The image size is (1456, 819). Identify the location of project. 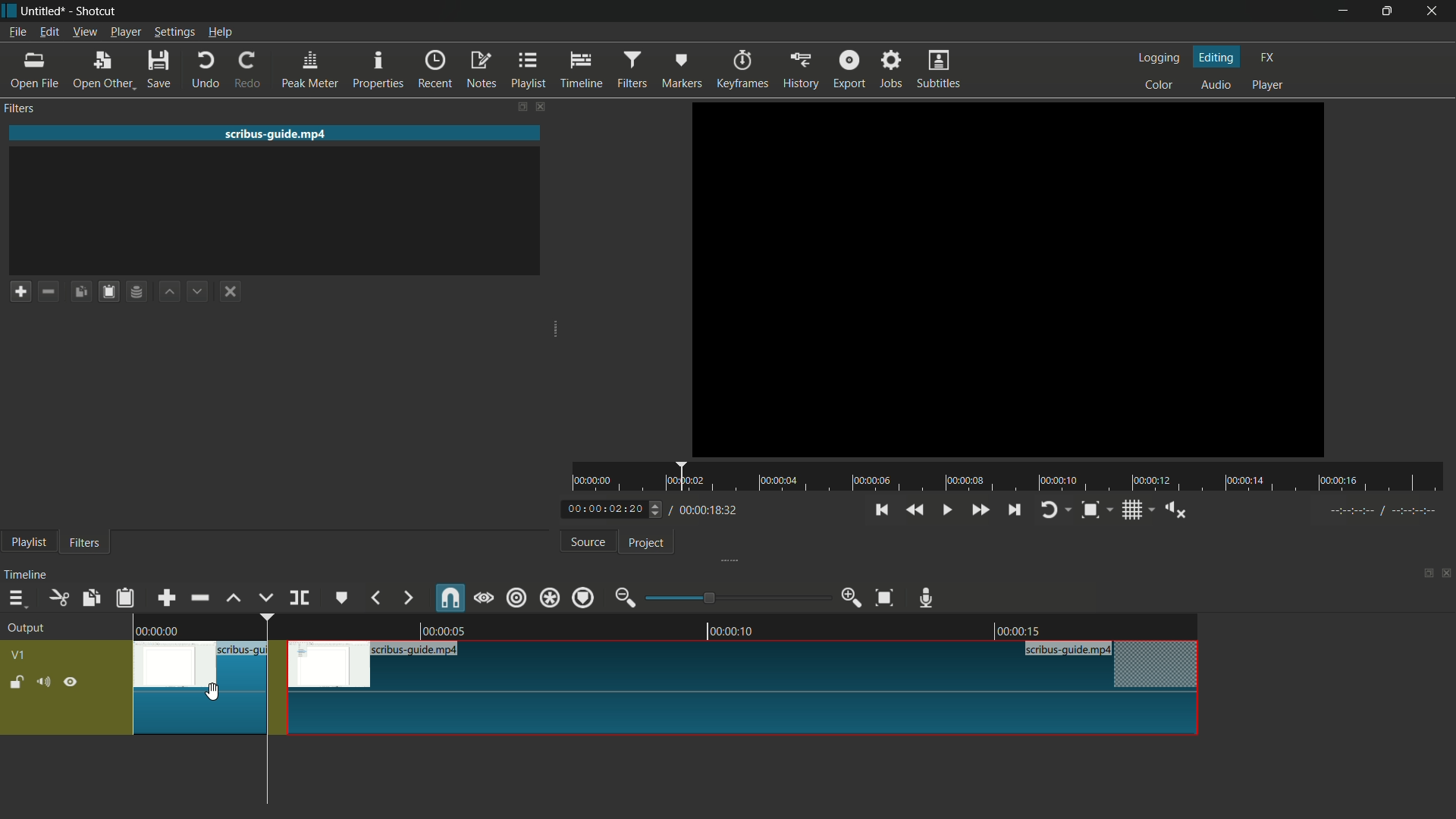
(645, 543).